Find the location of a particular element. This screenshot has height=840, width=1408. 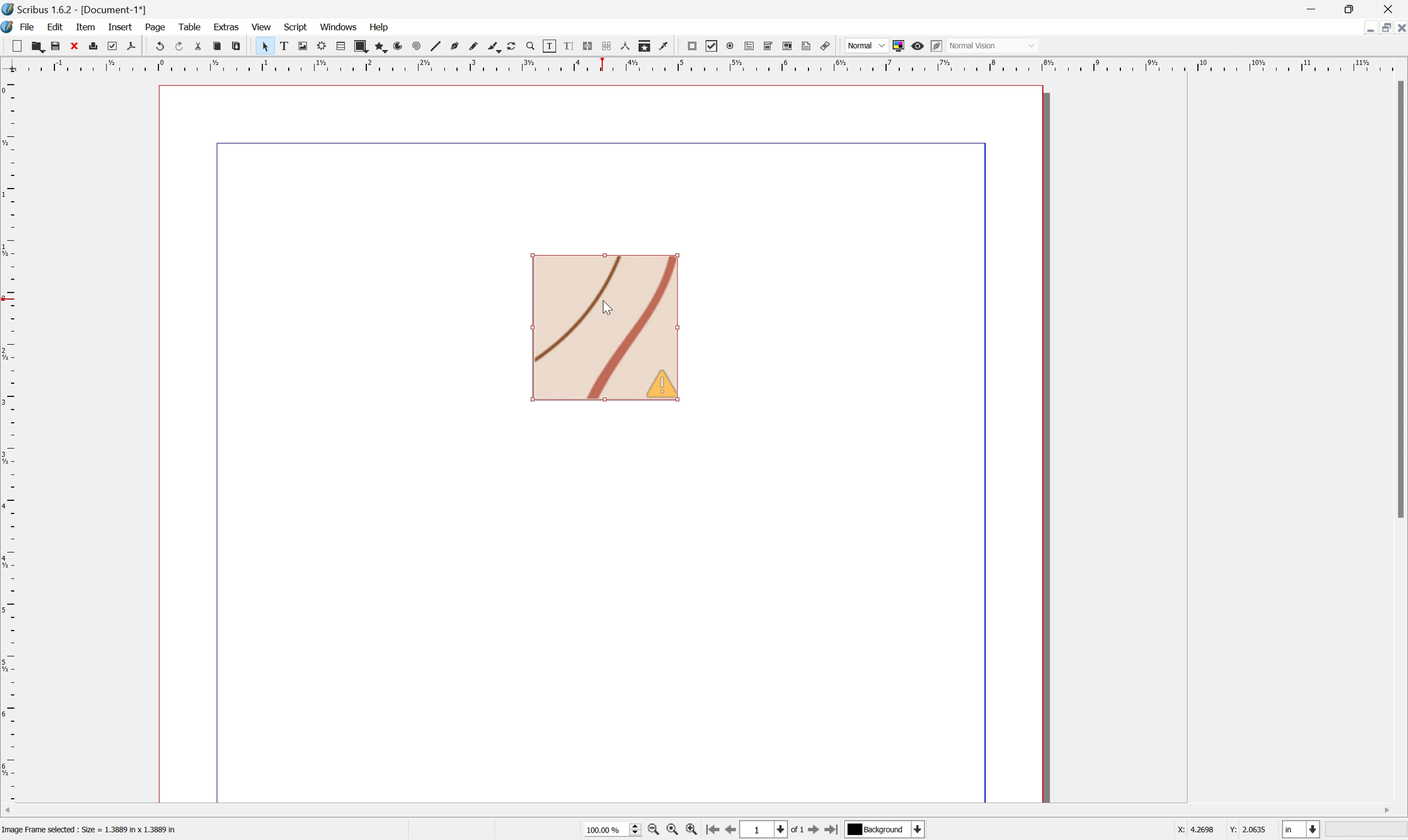

Save is located at coordinates (59, 45).